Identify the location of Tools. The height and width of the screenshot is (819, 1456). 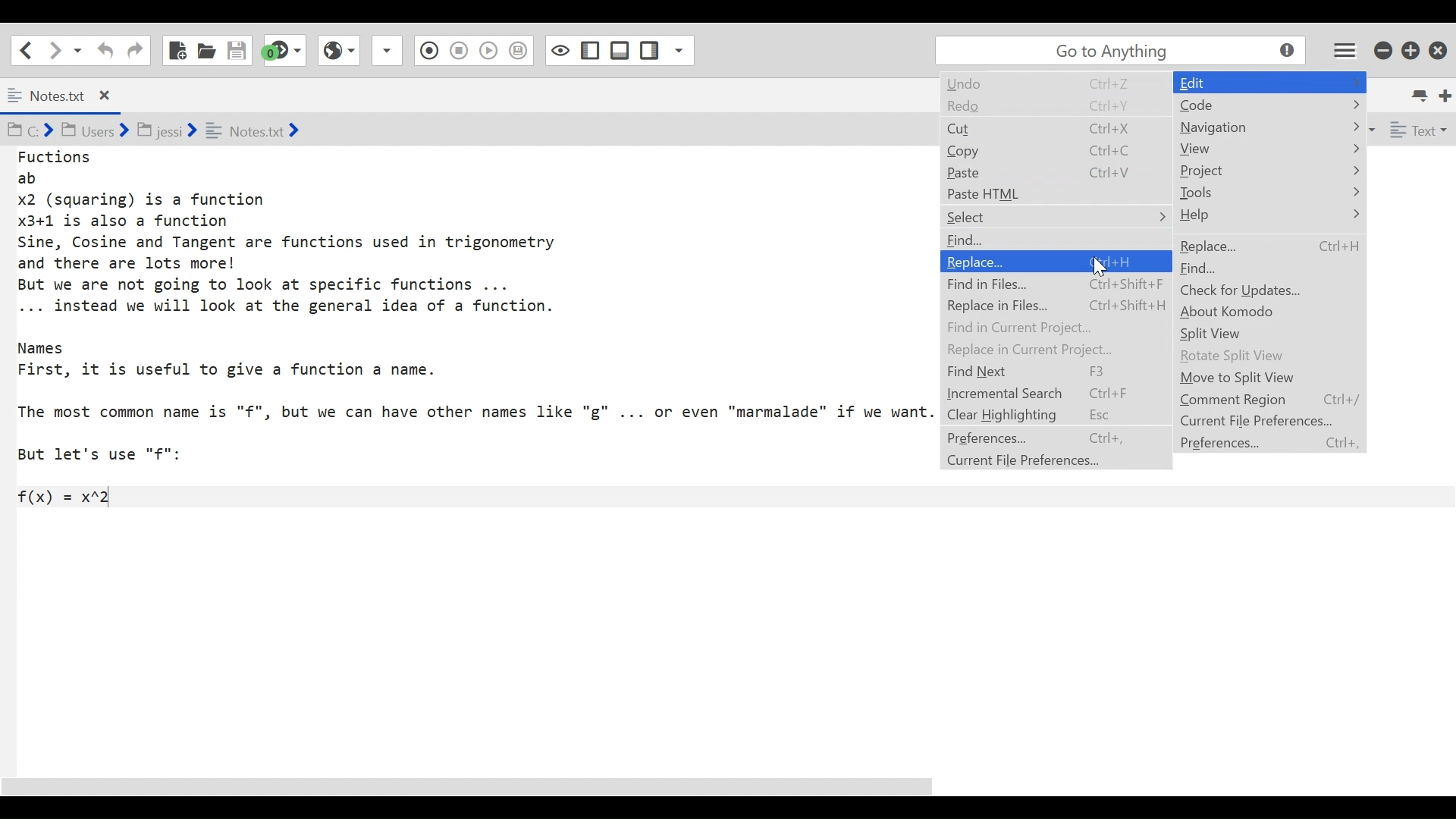
(1224, 192).